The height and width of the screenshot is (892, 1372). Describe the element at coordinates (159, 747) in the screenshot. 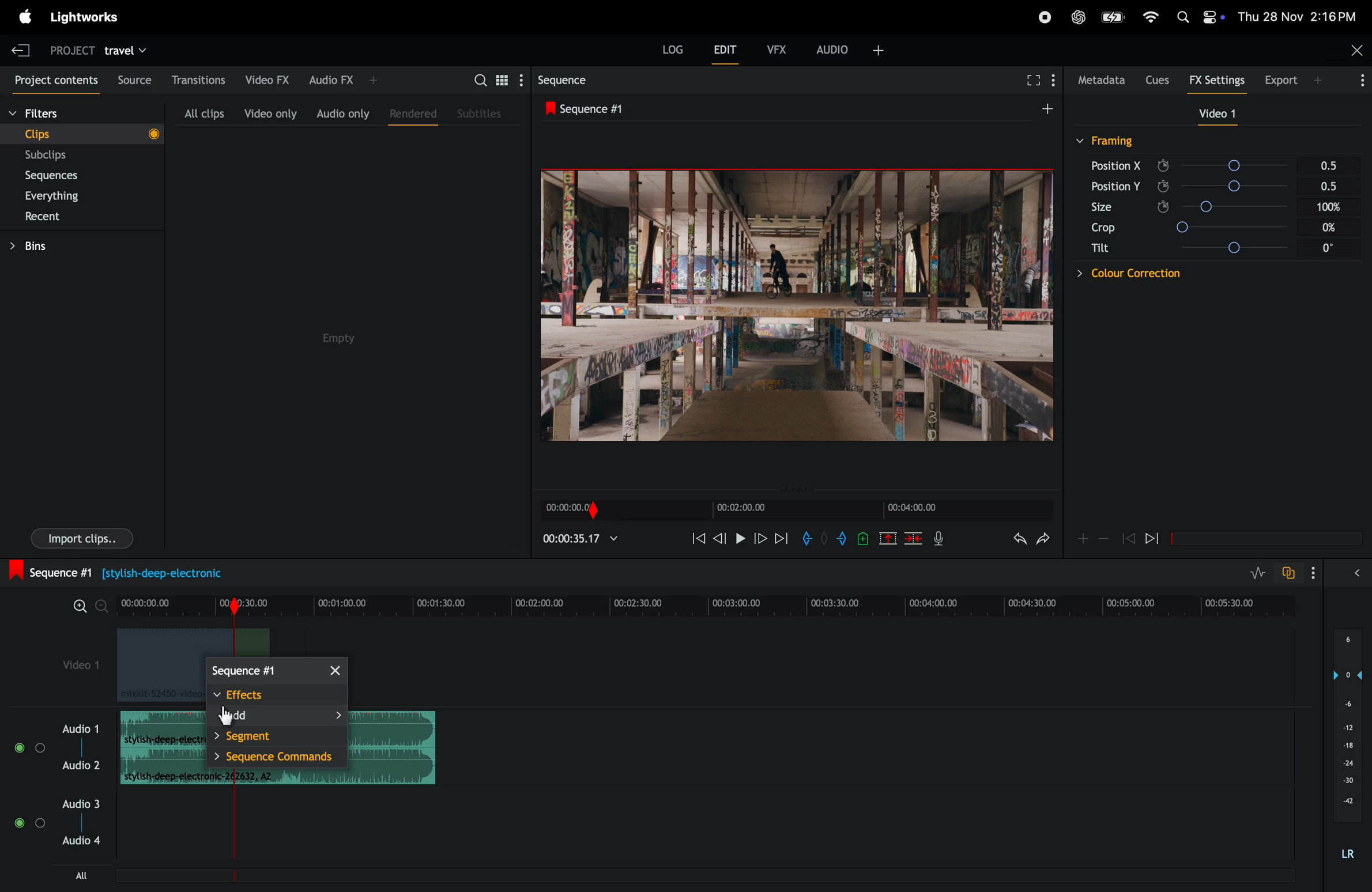

I see `audio track` at that location.